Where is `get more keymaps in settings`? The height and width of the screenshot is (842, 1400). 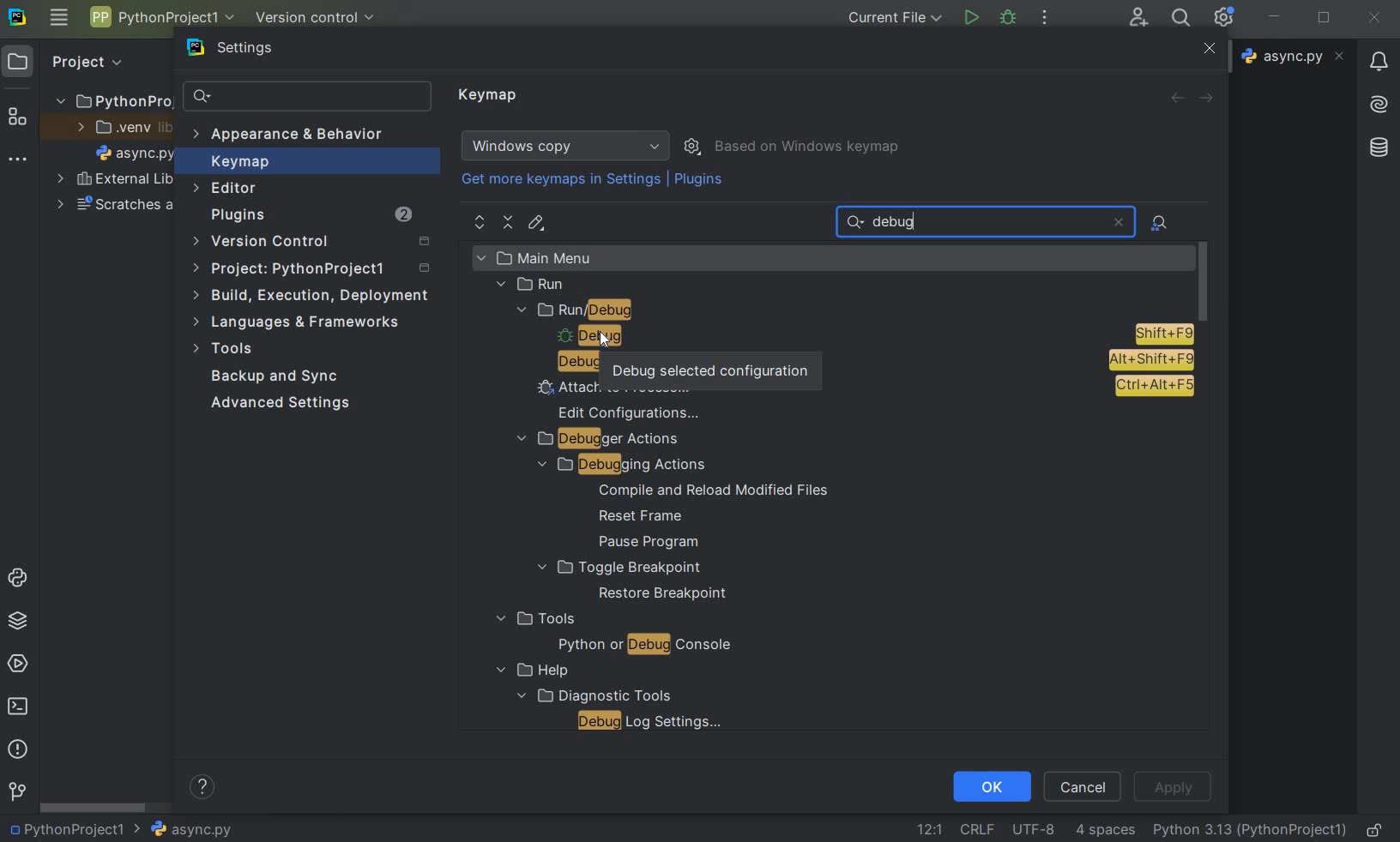 get more keymaps in settings is located at coordinates (563, 182).